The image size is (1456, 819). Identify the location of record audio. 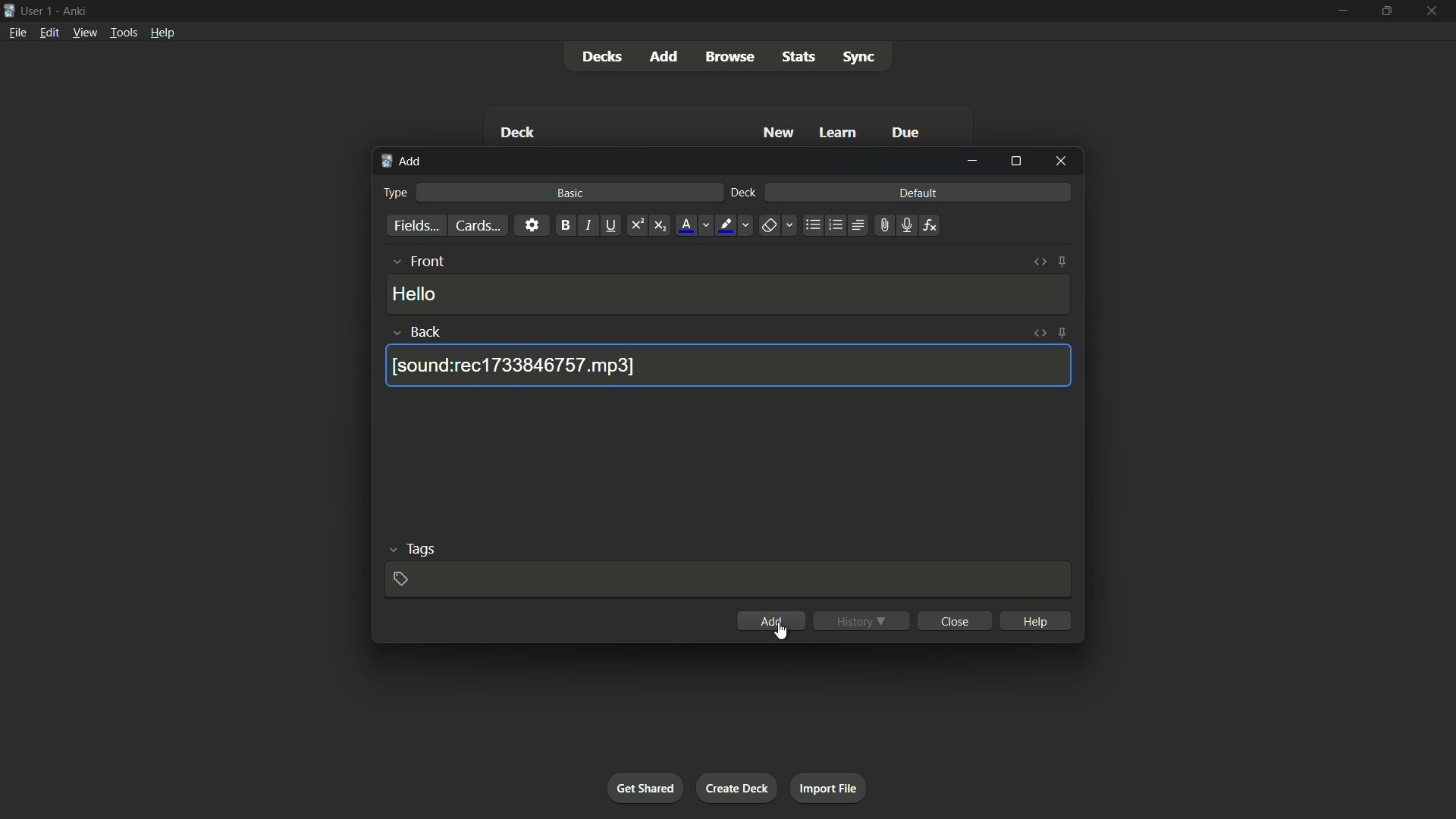
(905, 225).